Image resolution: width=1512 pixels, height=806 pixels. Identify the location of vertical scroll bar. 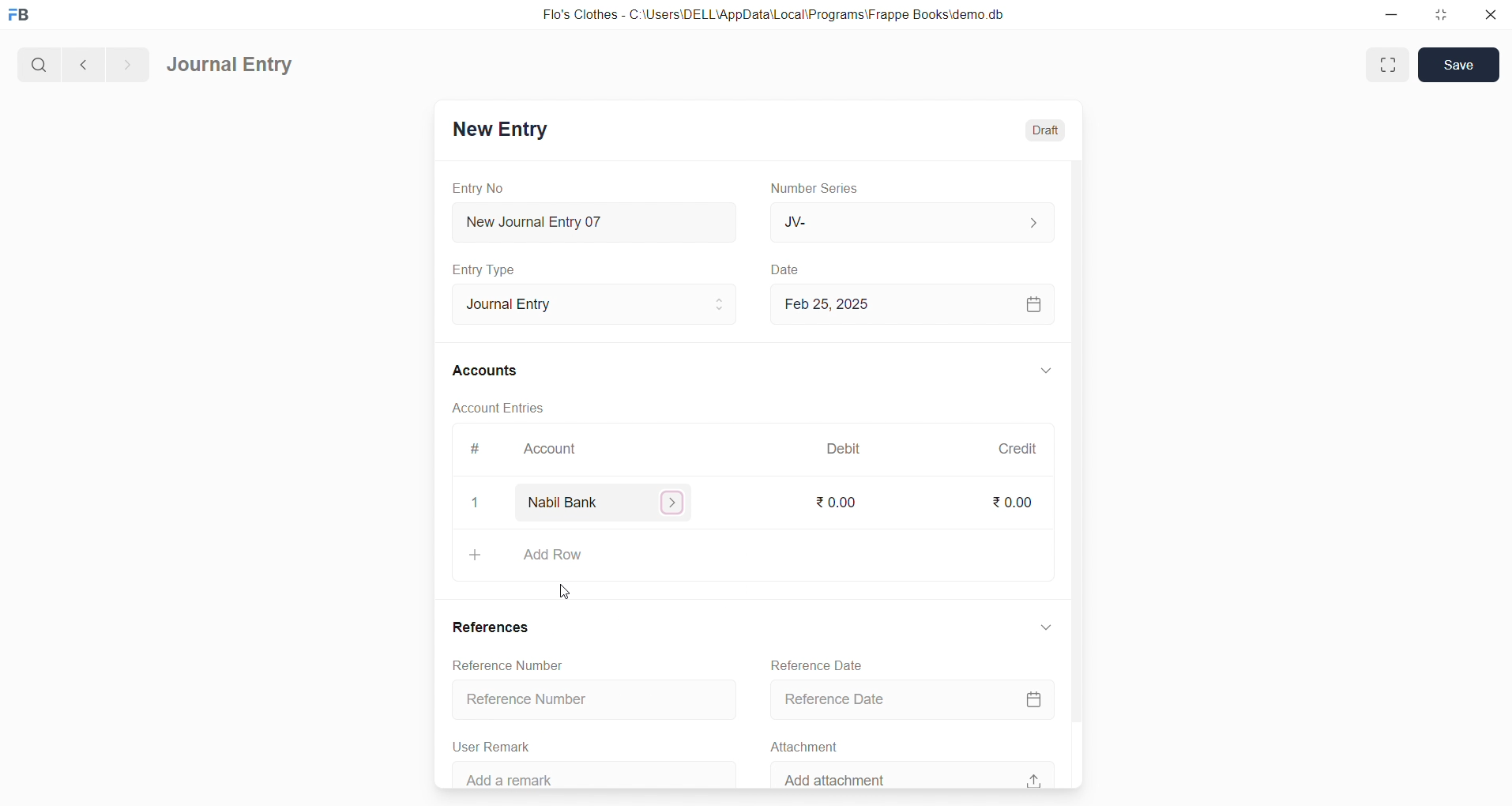
(1076, 472).